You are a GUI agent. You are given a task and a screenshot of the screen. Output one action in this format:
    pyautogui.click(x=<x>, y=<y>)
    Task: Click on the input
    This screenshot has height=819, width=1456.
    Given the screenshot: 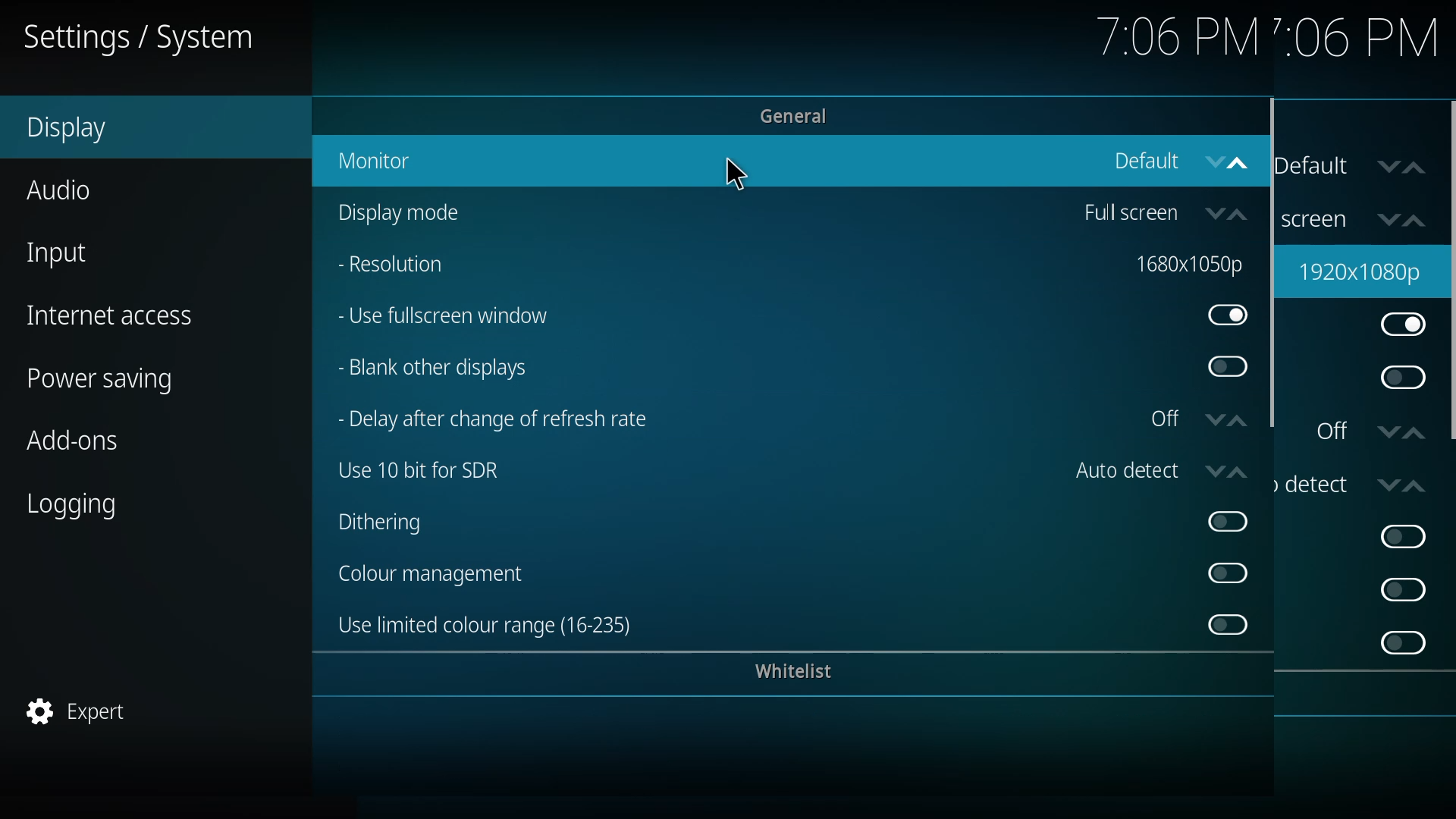 What is the action you would take?
    pyautogui.click(x=74, y=259)
    